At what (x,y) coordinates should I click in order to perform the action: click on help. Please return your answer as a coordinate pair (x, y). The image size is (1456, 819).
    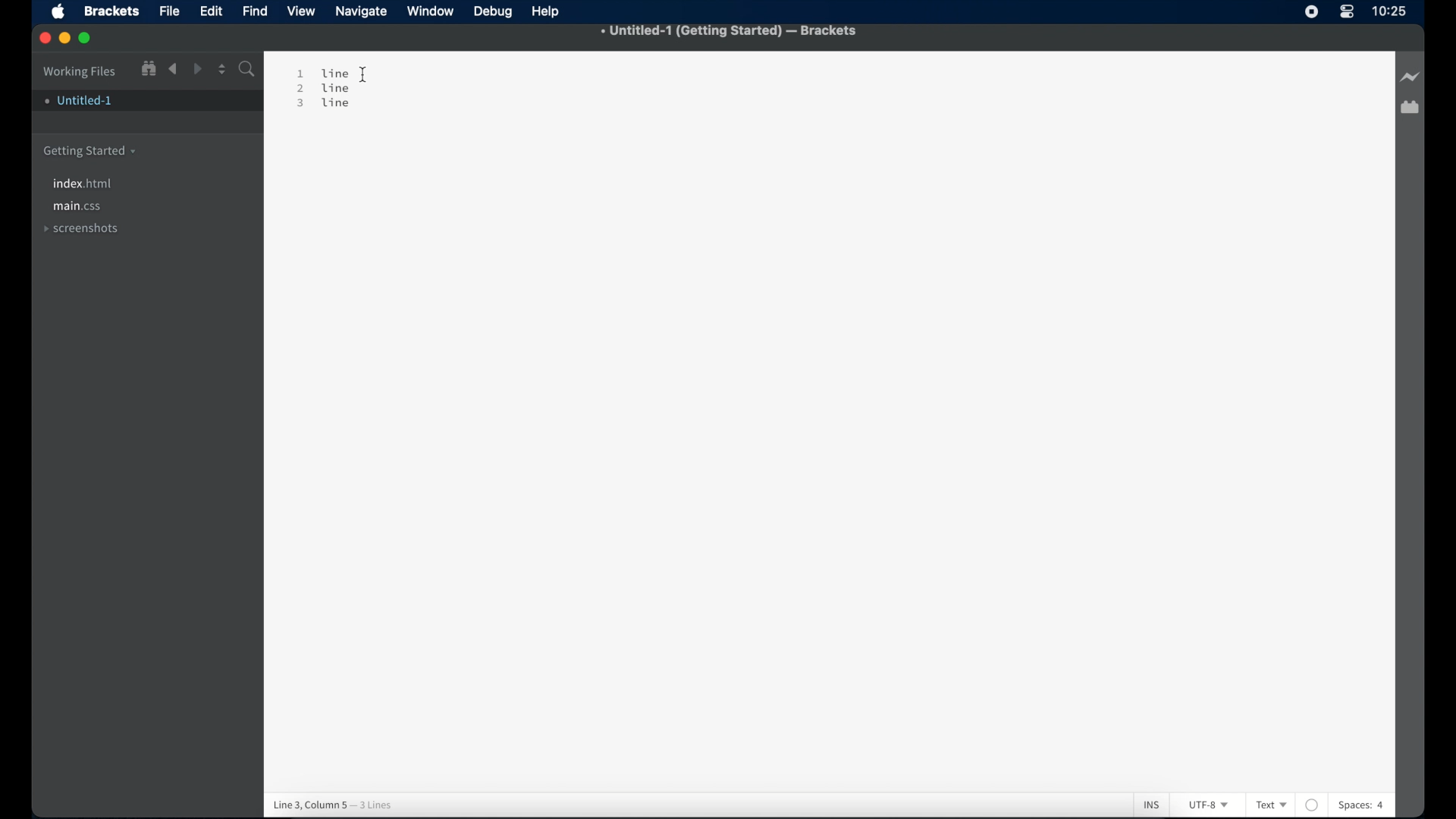
    Looking at the image, I should click on (548, 12).